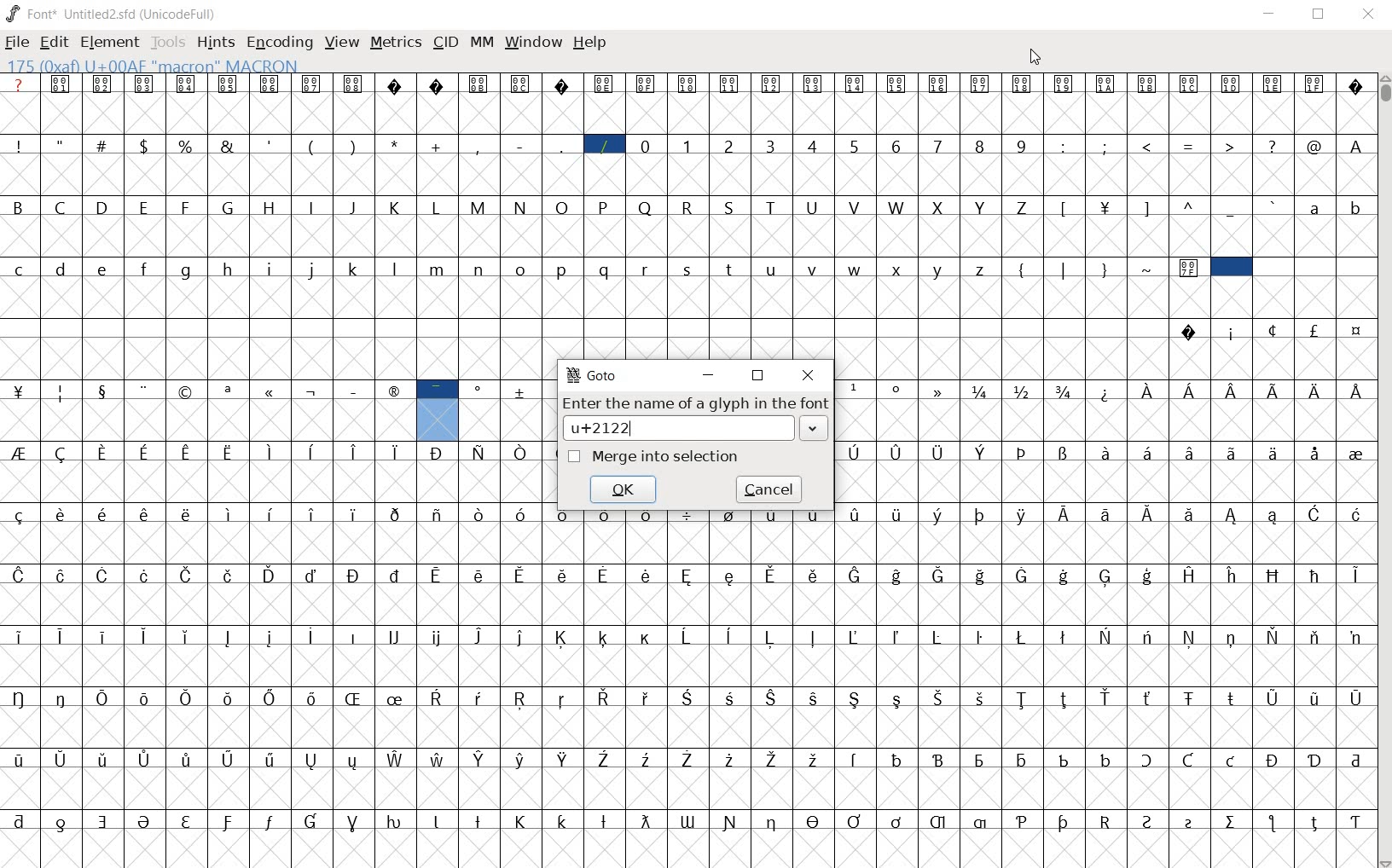 This screenshot has height=868, width=1392. I want to click on special characters, so click(899, 410).